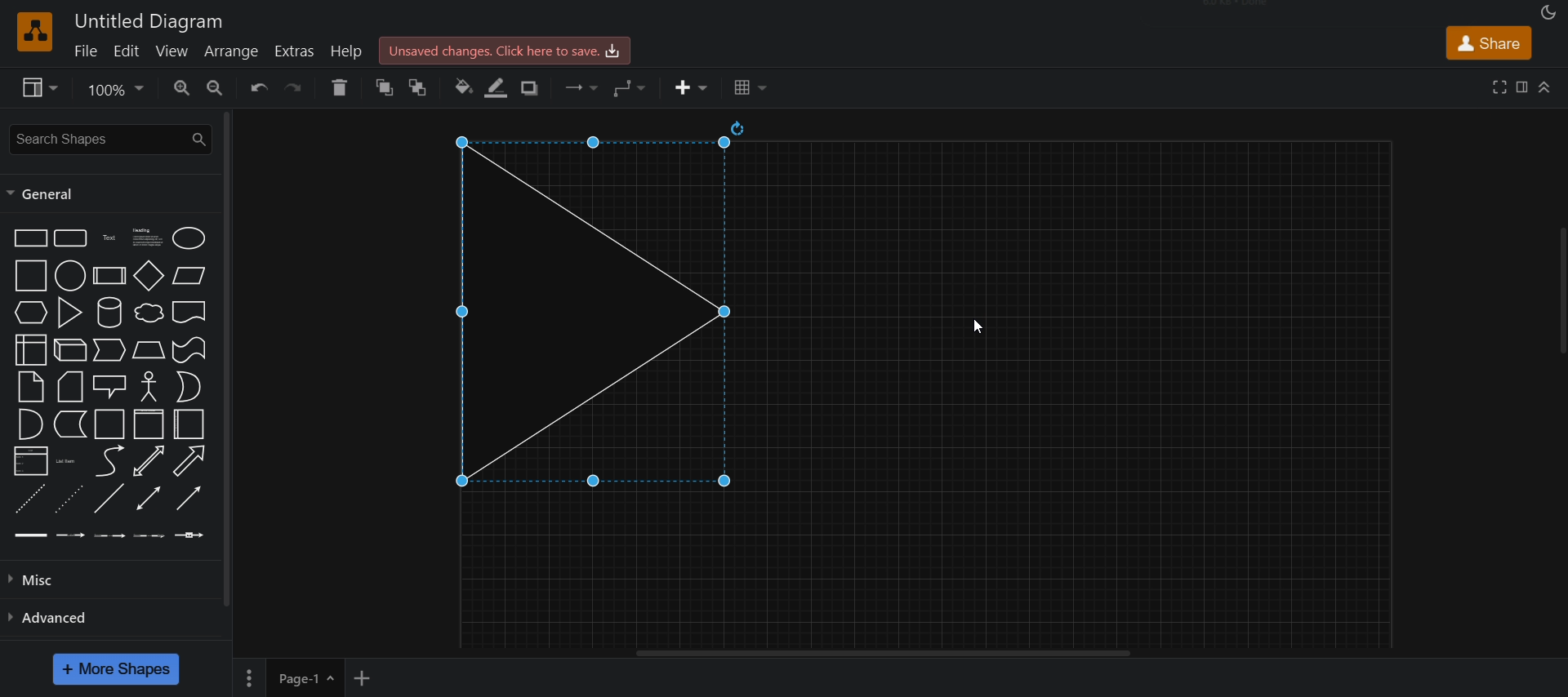  Describe the element at coordinates (532, 89) in the screenshot. I see `shadow` at that location.